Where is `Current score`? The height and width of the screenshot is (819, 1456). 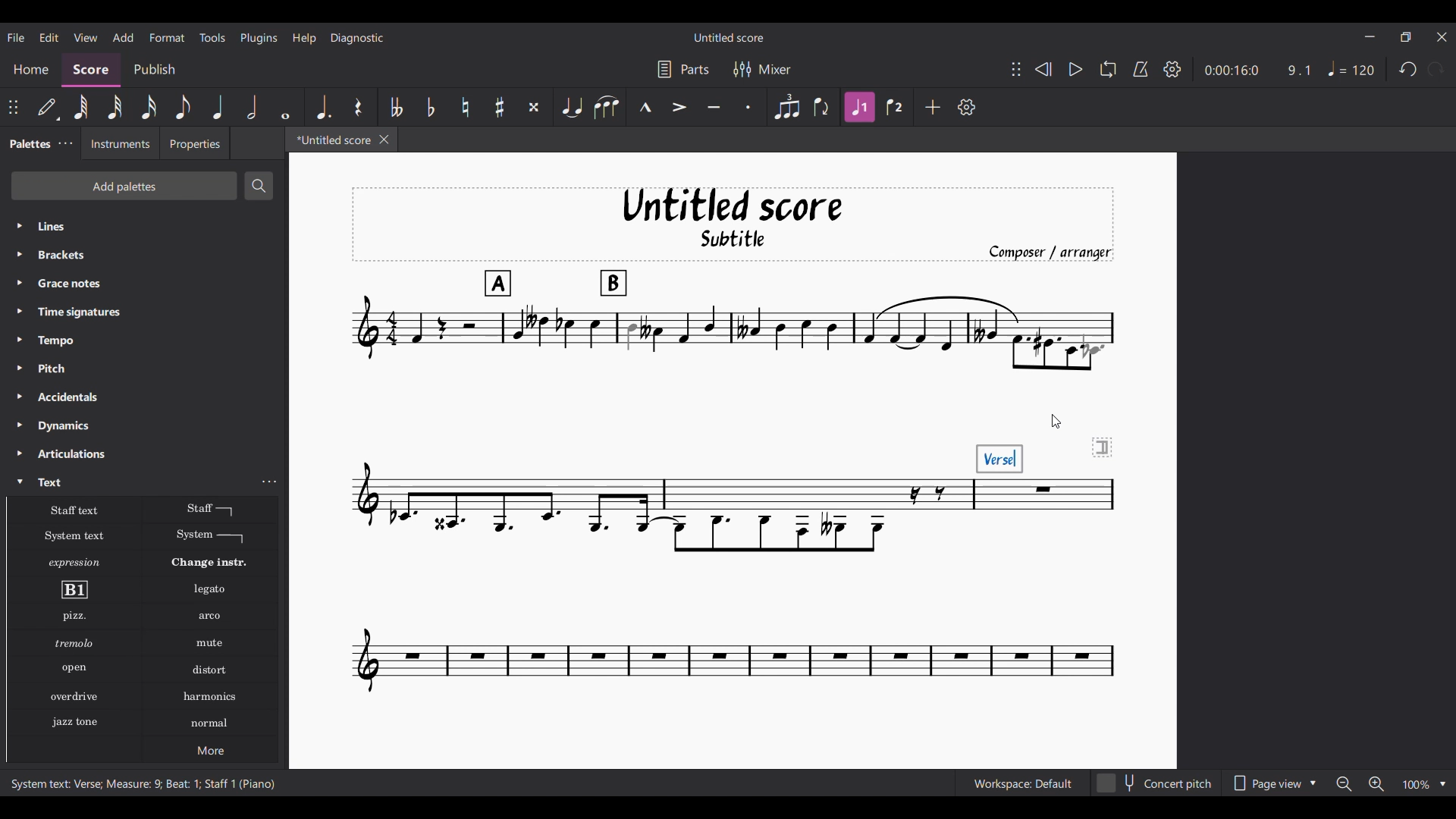
Current score is located at coordinates (1037, 315).